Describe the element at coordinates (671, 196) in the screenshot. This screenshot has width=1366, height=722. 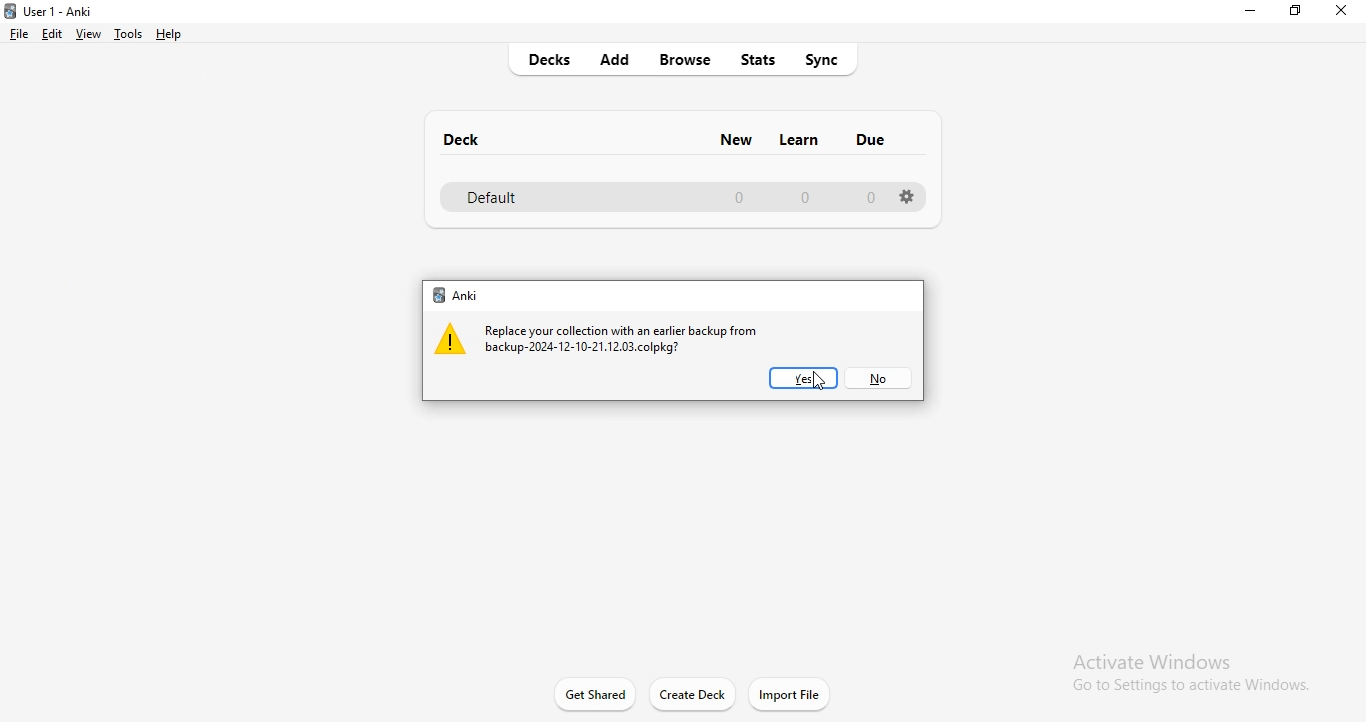
I see `defsult` at that location.